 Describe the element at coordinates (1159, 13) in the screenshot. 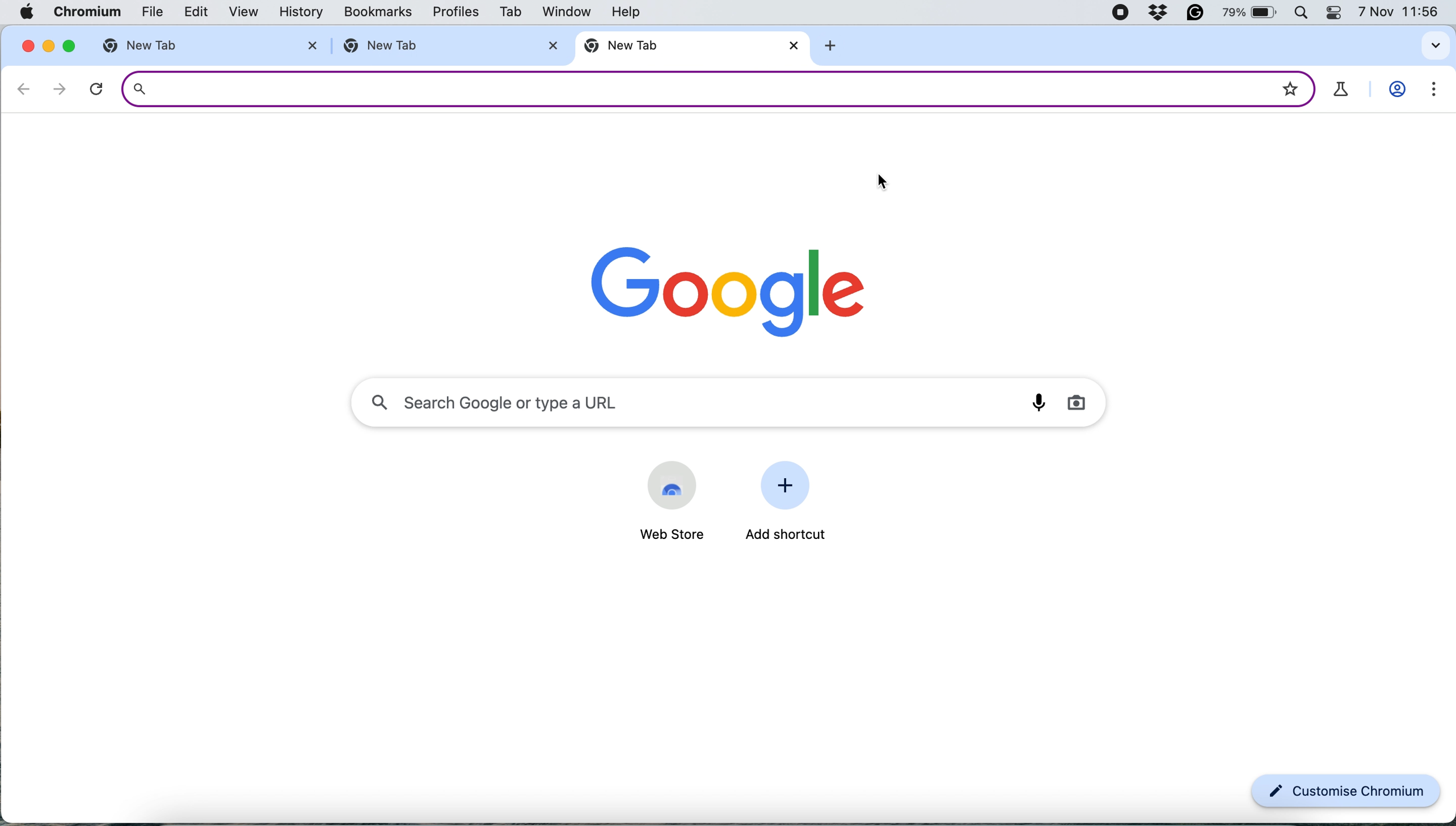

I see `dropbox` at that location.